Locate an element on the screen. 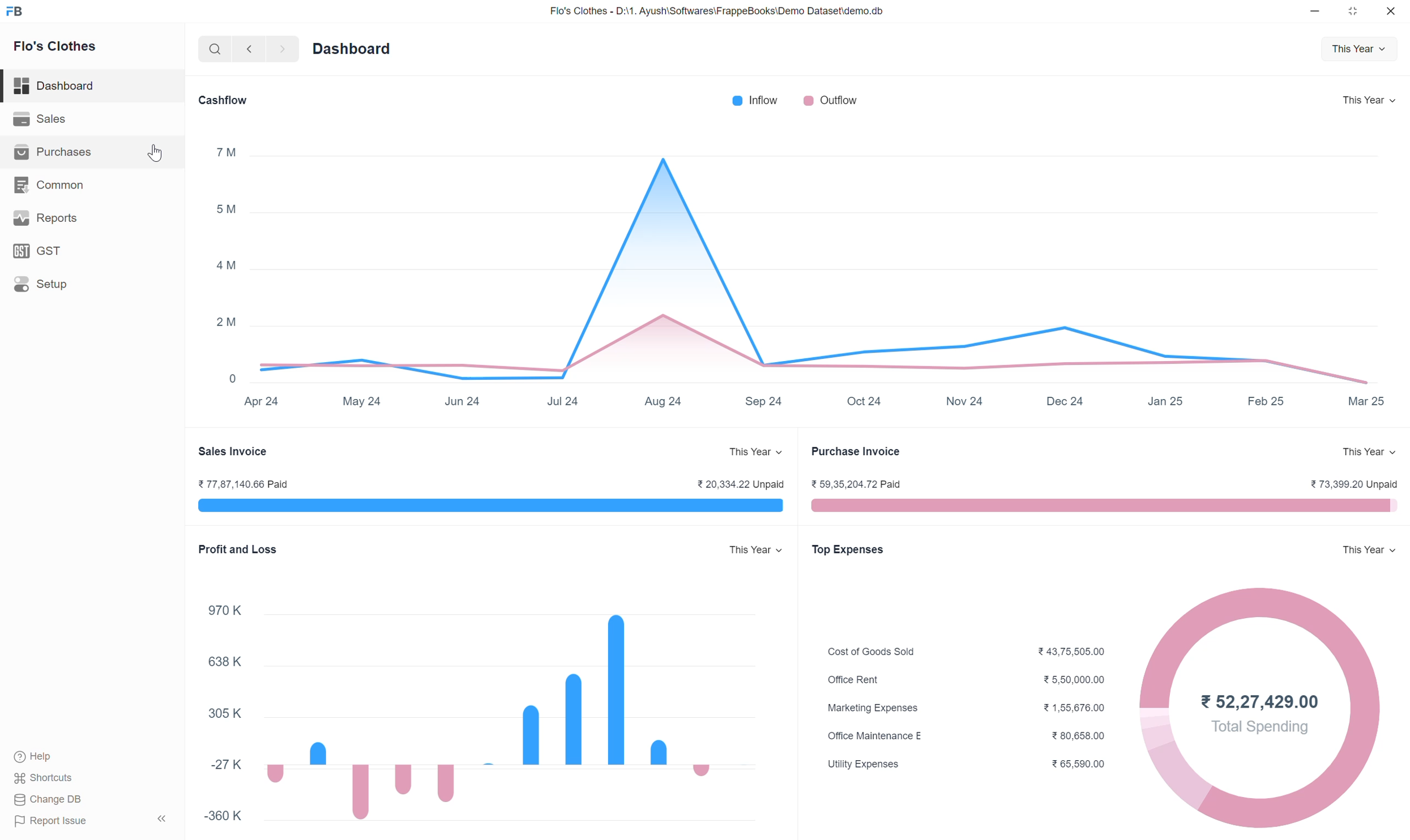 This screenshot has height=840, width=1410. ® Inflow is located at coordinates (750, 102).